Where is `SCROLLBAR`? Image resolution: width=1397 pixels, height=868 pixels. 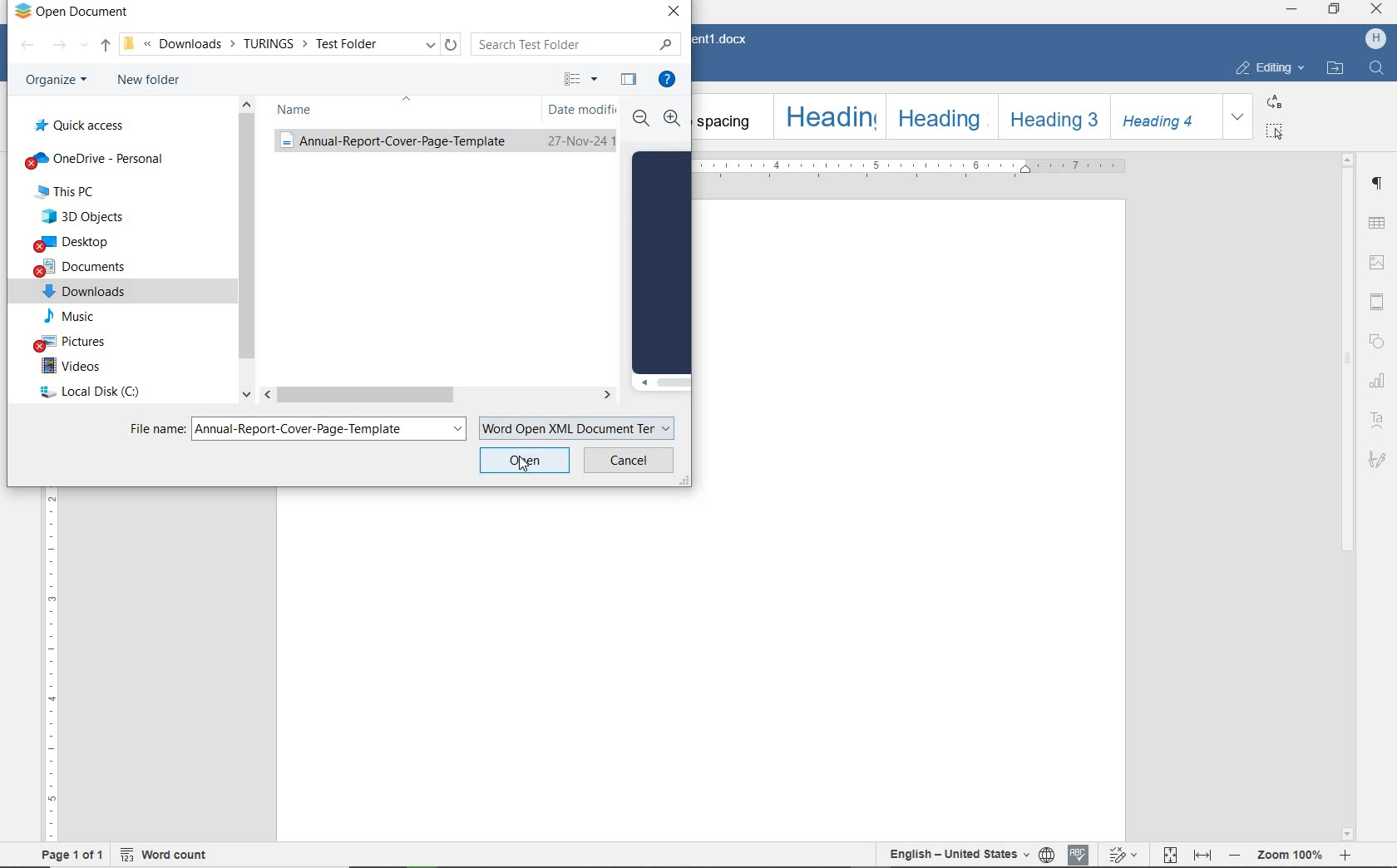 SCROLLBAR is located at coordinates (244, 253).